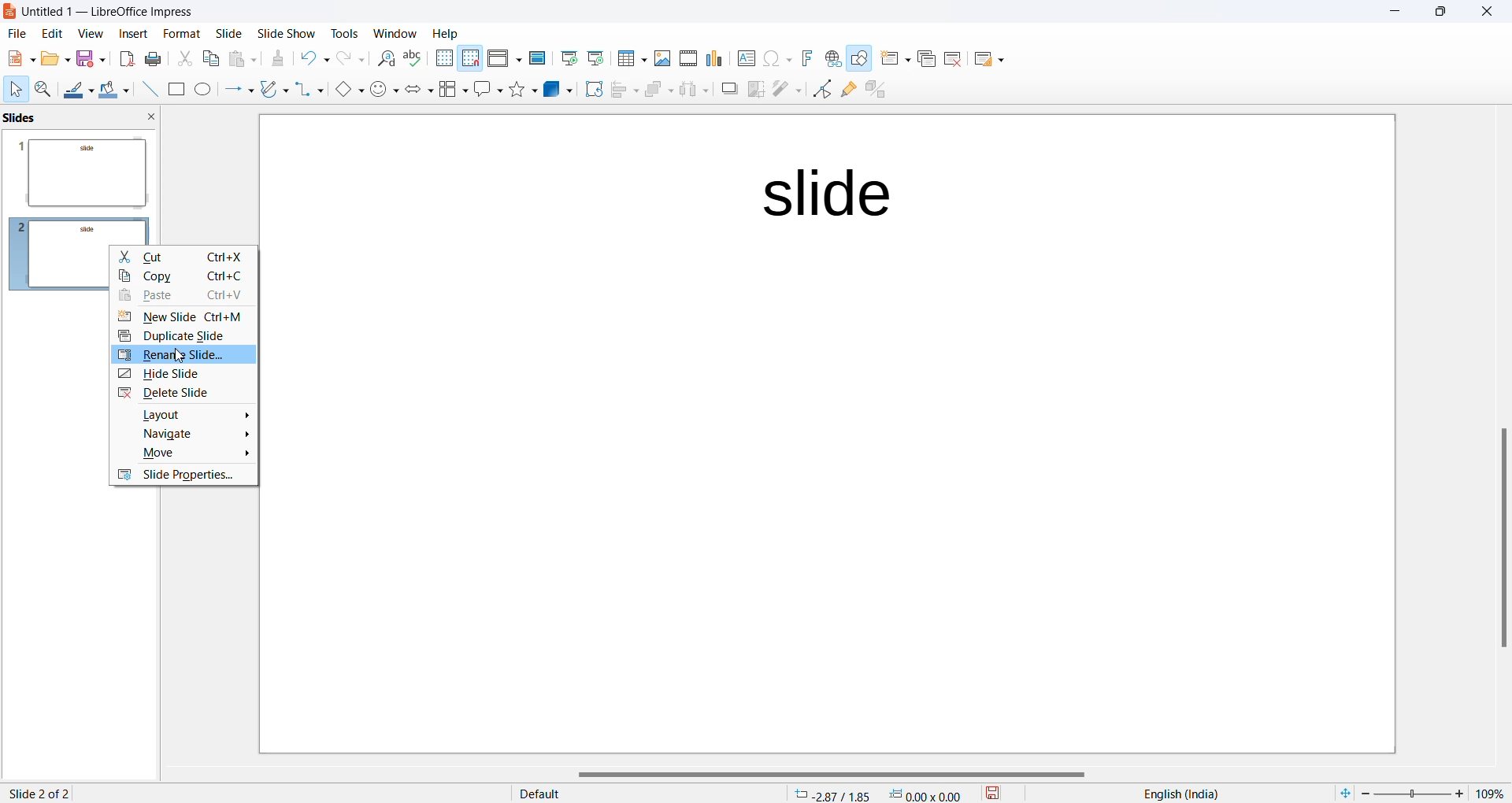  What do you see at coordinates (621, 91) in the screenshot?
I see `Align` at bounding box center [621, 91].